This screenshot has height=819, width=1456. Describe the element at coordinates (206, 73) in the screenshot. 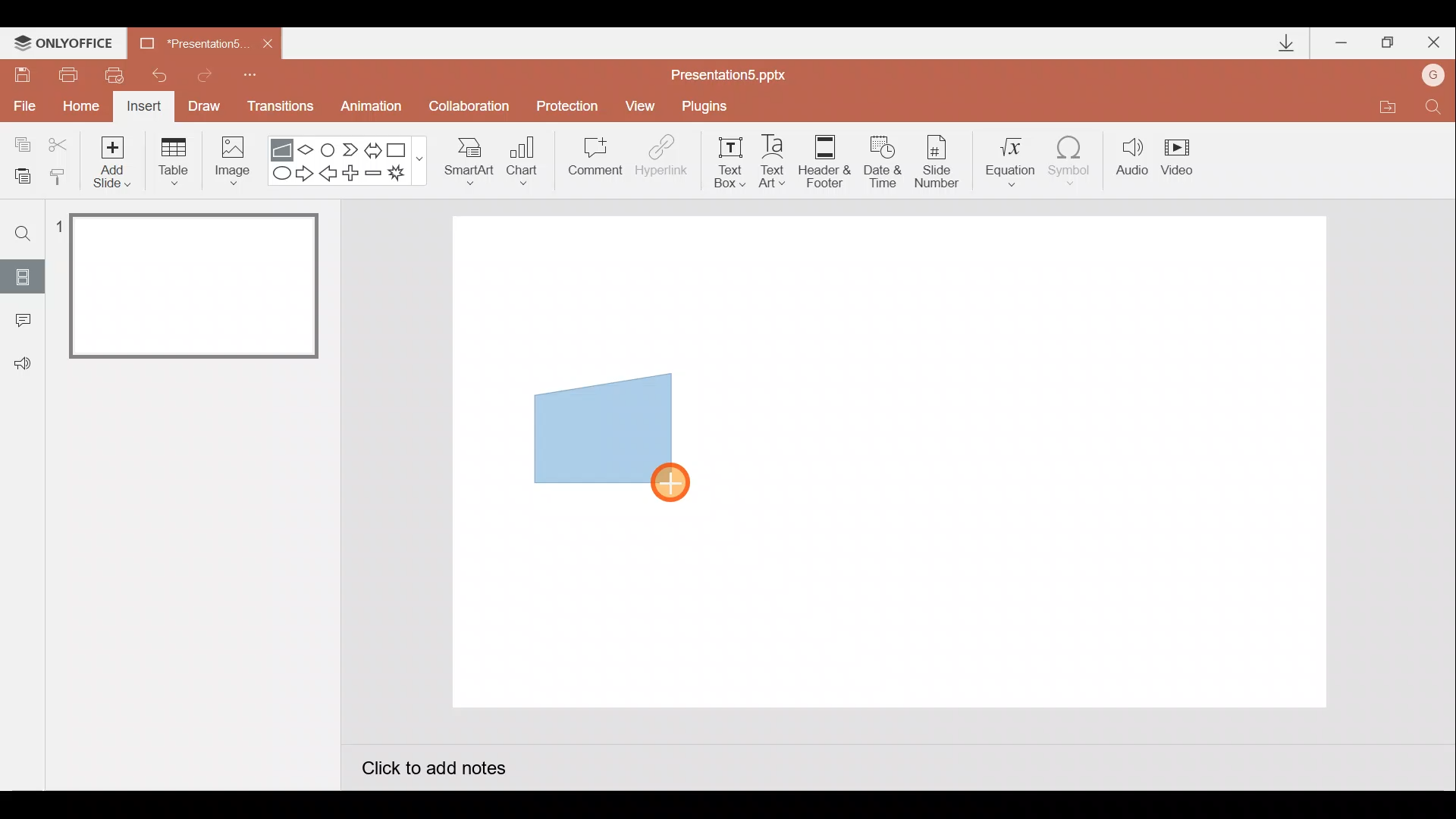

I see `Redo` at that location.